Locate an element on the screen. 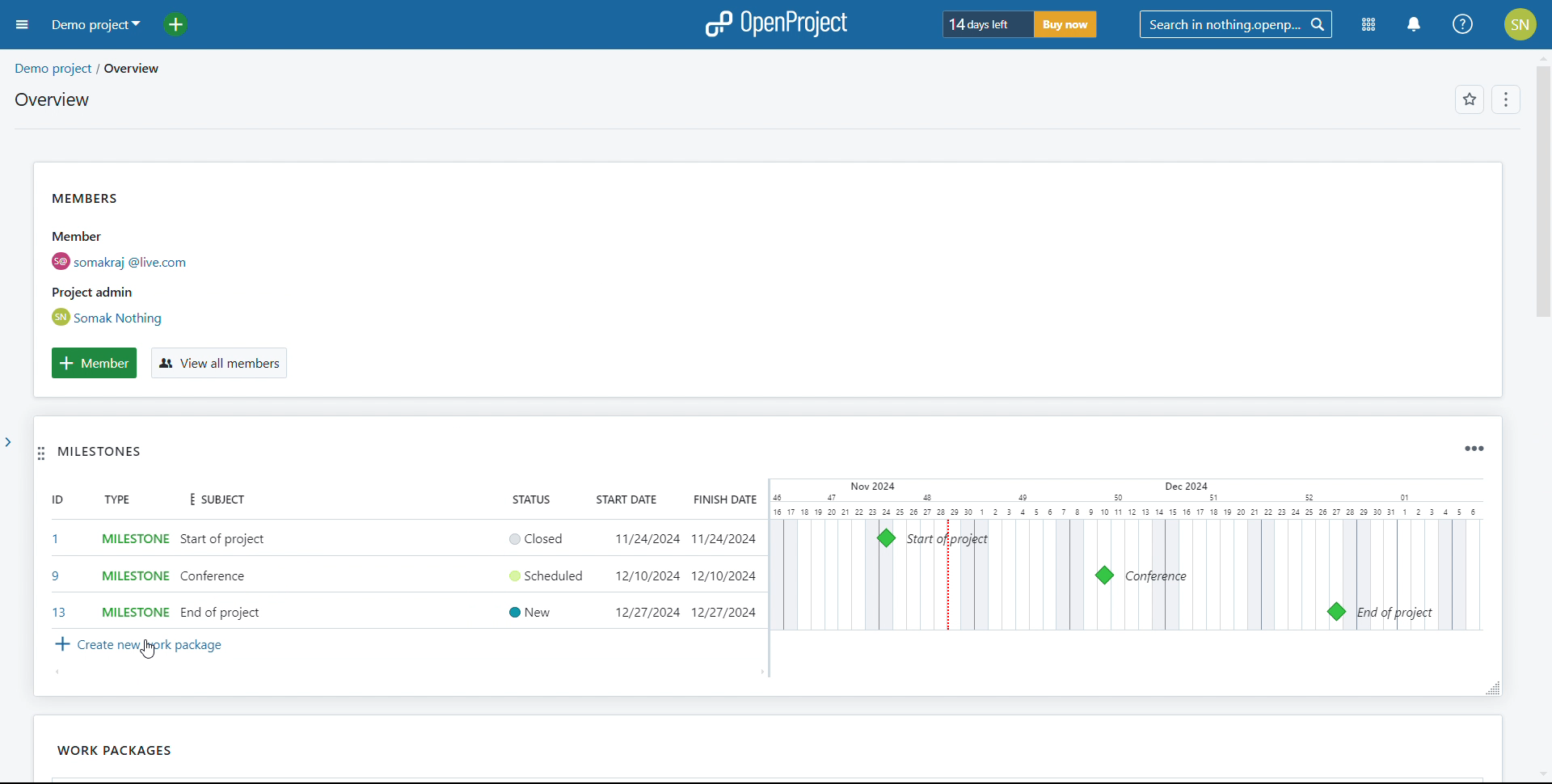 Image resolution: width=1552 pixels, height=784 pixels. set start and end date is located at coordinates (678, 575).